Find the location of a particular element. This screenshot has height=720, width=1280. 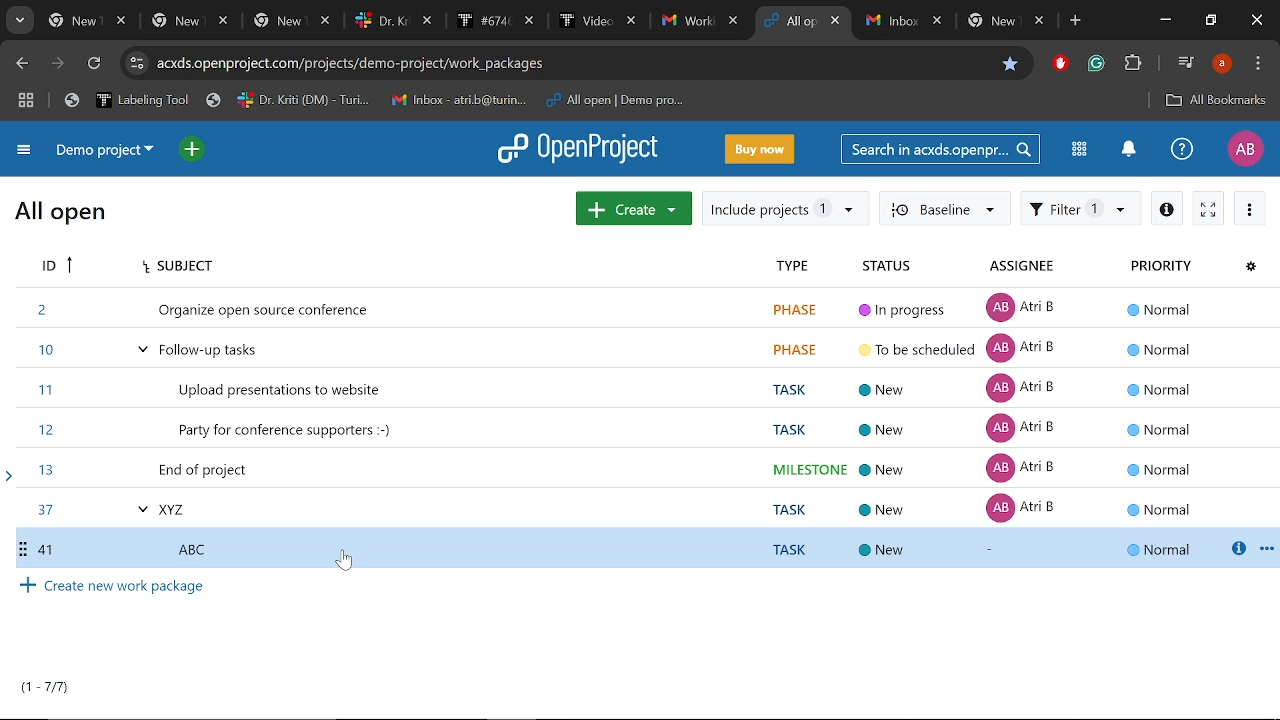

Type is located at coordinates (794, 266).